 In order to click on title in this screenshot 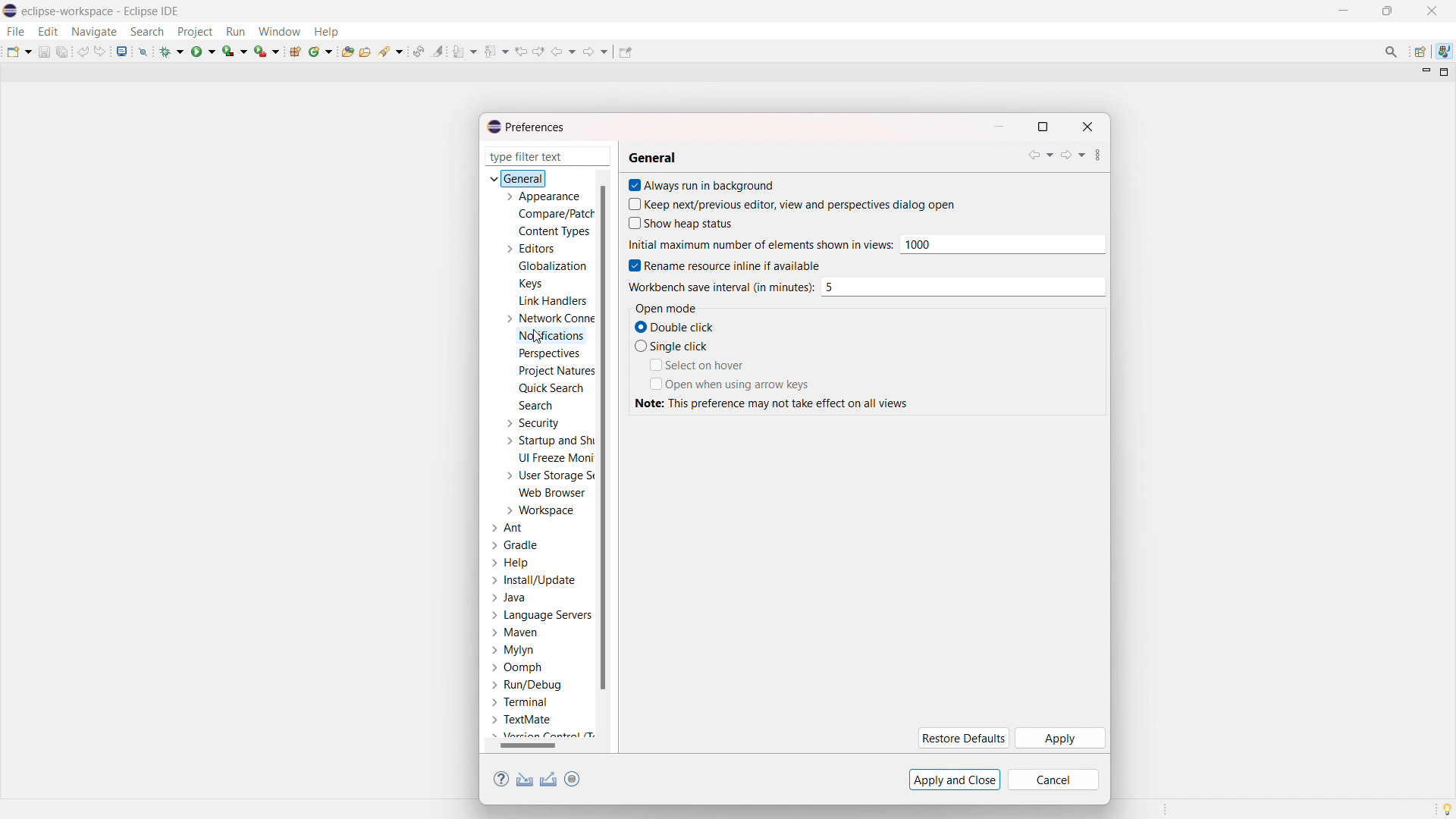, I will do `click(102, 11)`.